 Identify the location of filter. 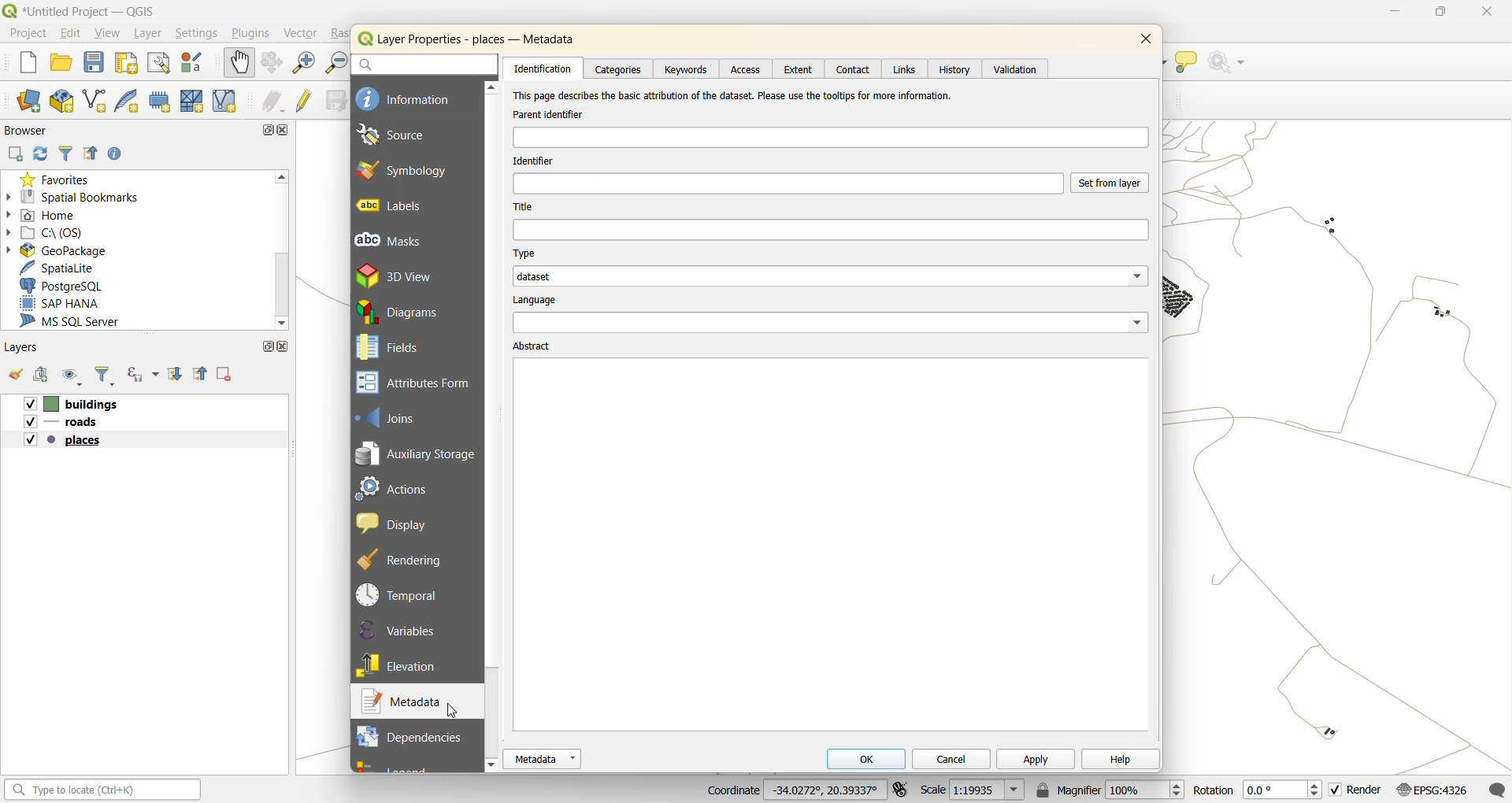
(69, 152).